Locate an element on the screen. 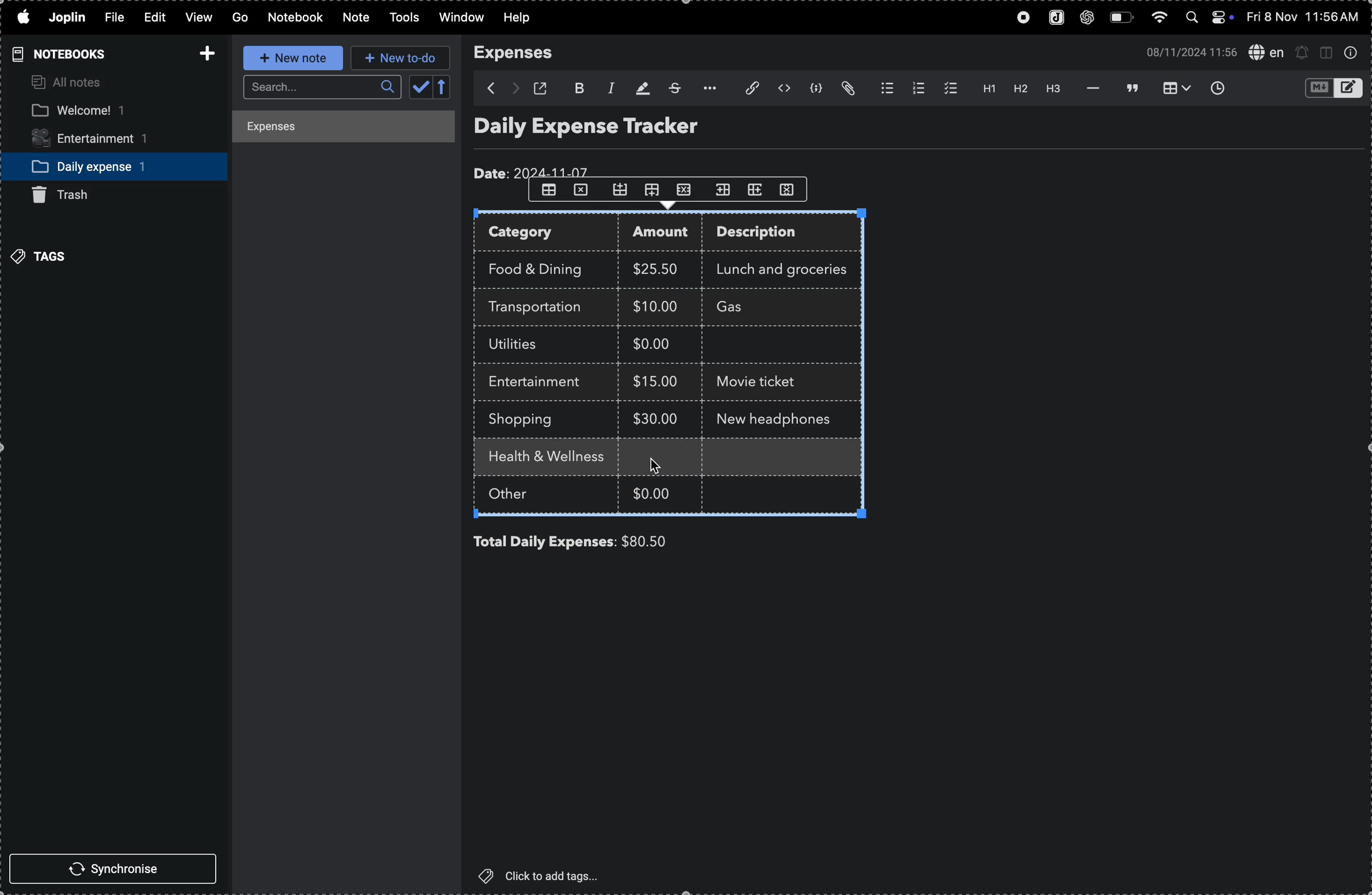  attach file is located at coordinates (745, 89).